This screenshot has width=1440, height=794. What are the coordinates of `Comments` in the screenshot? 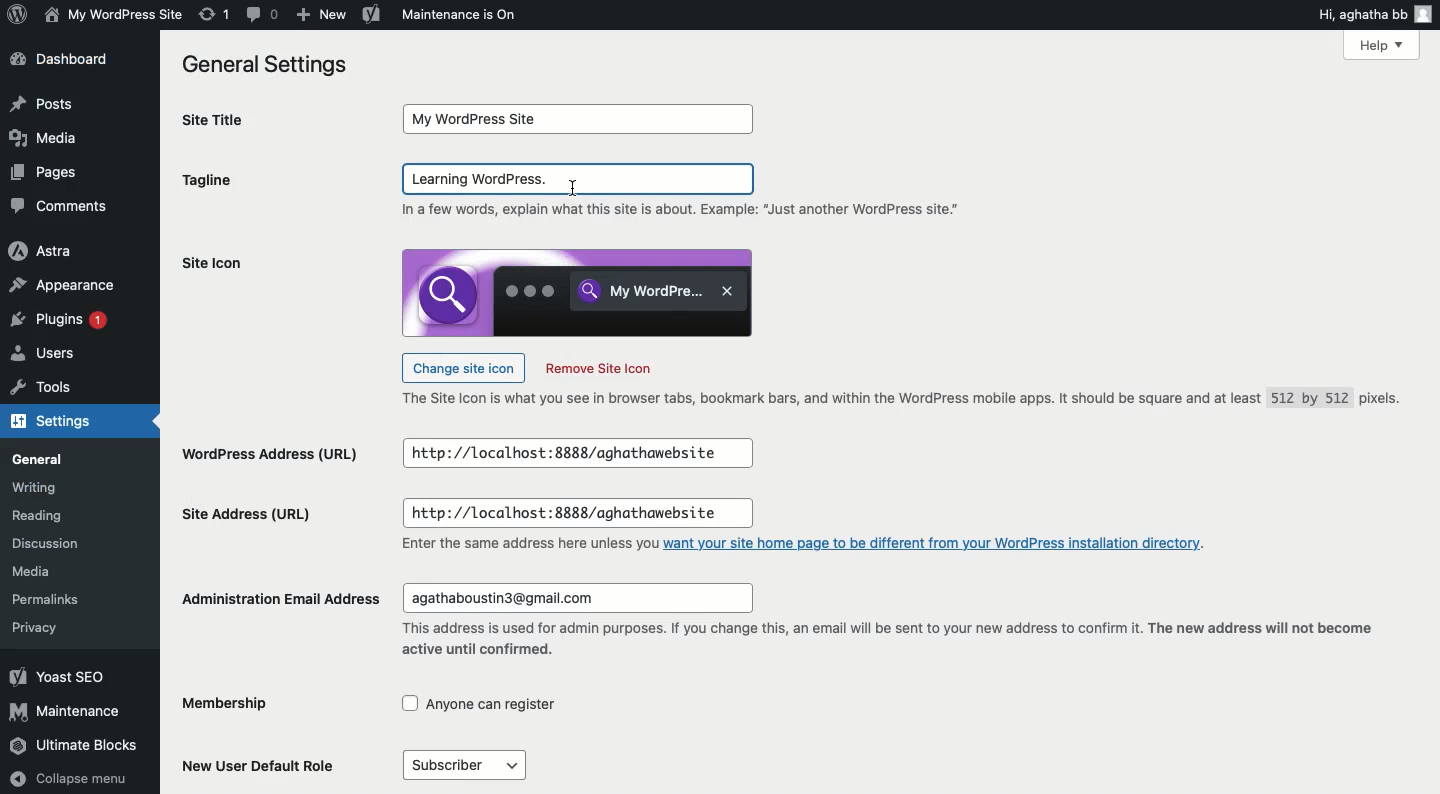 It's located at (60, 206).